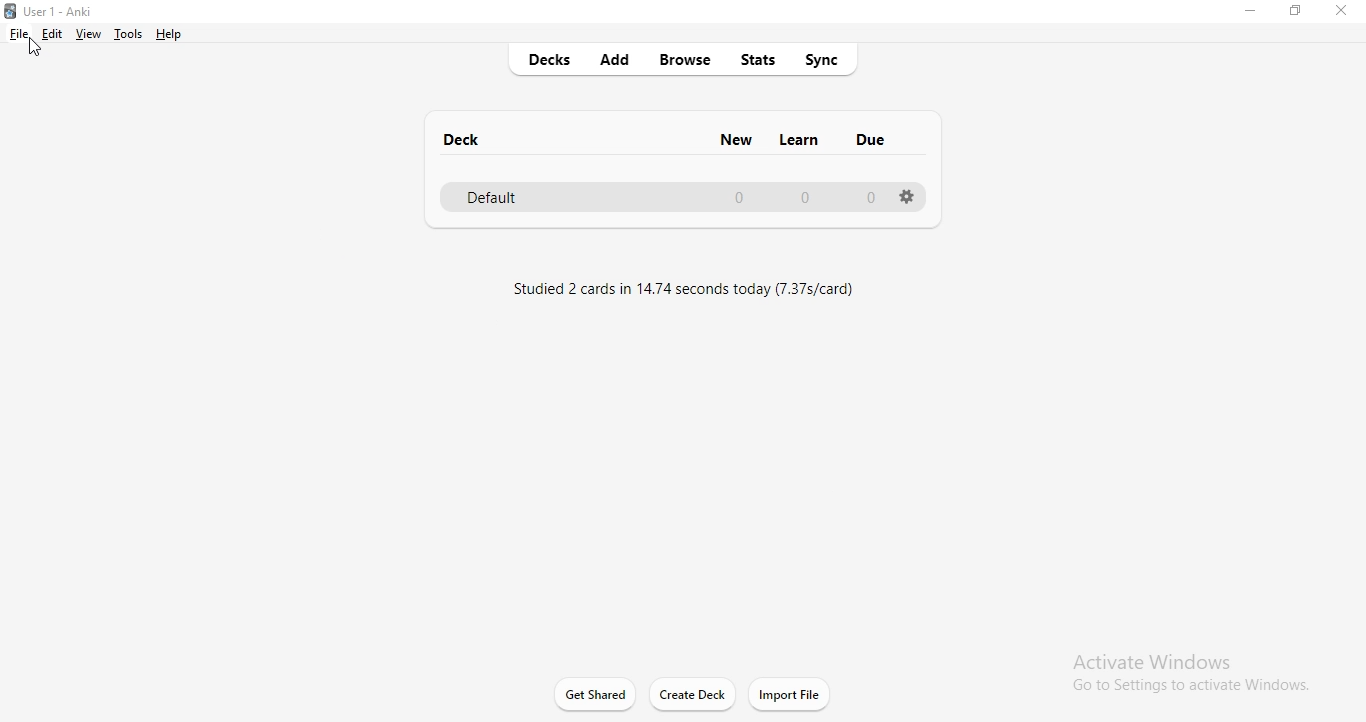 The image size is (1366, 722). I want to click on restore, so click(1298, 15).